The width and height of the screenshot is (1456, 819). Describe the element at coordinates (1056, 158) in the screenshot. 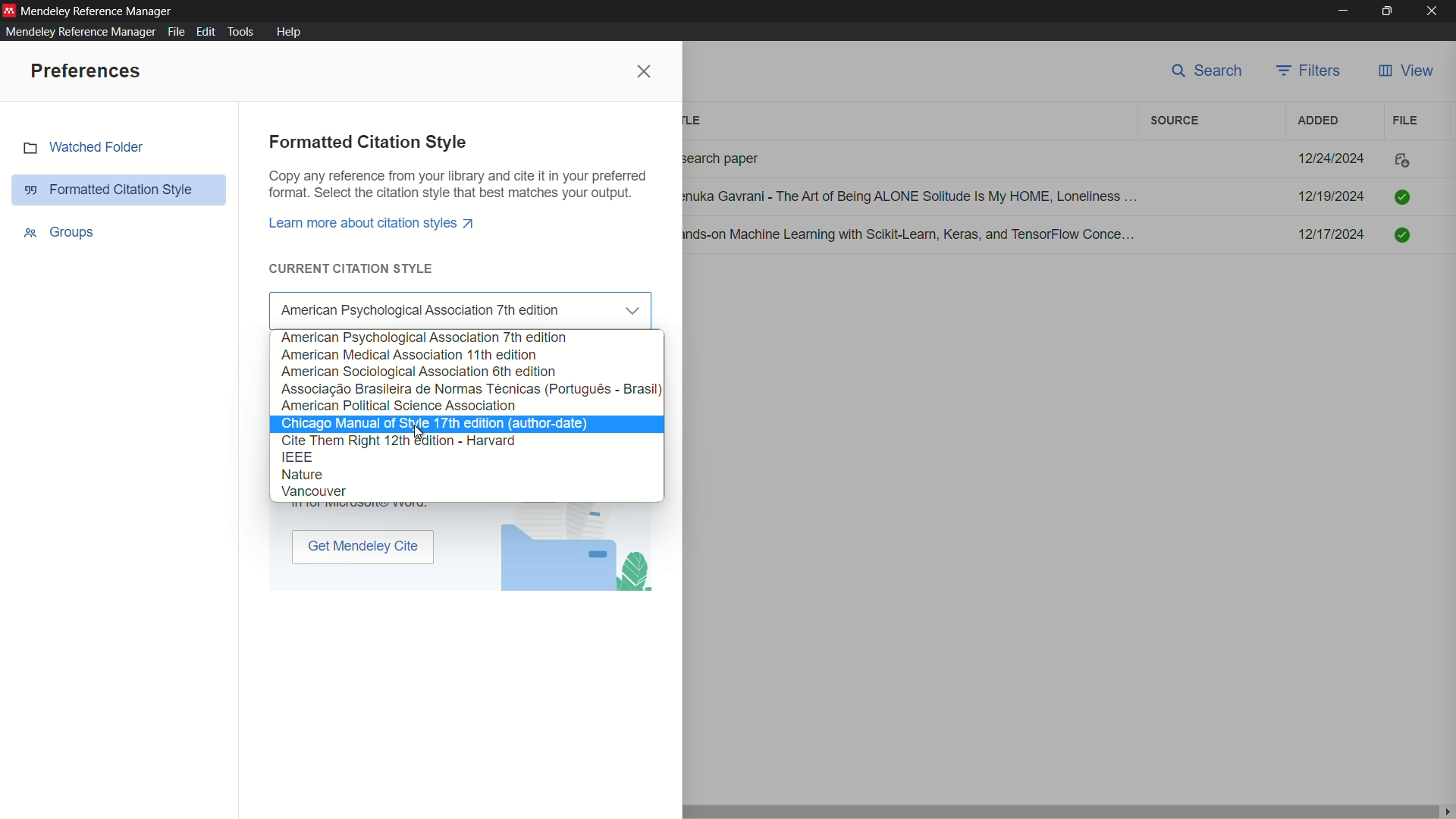

I see `details` at that location.